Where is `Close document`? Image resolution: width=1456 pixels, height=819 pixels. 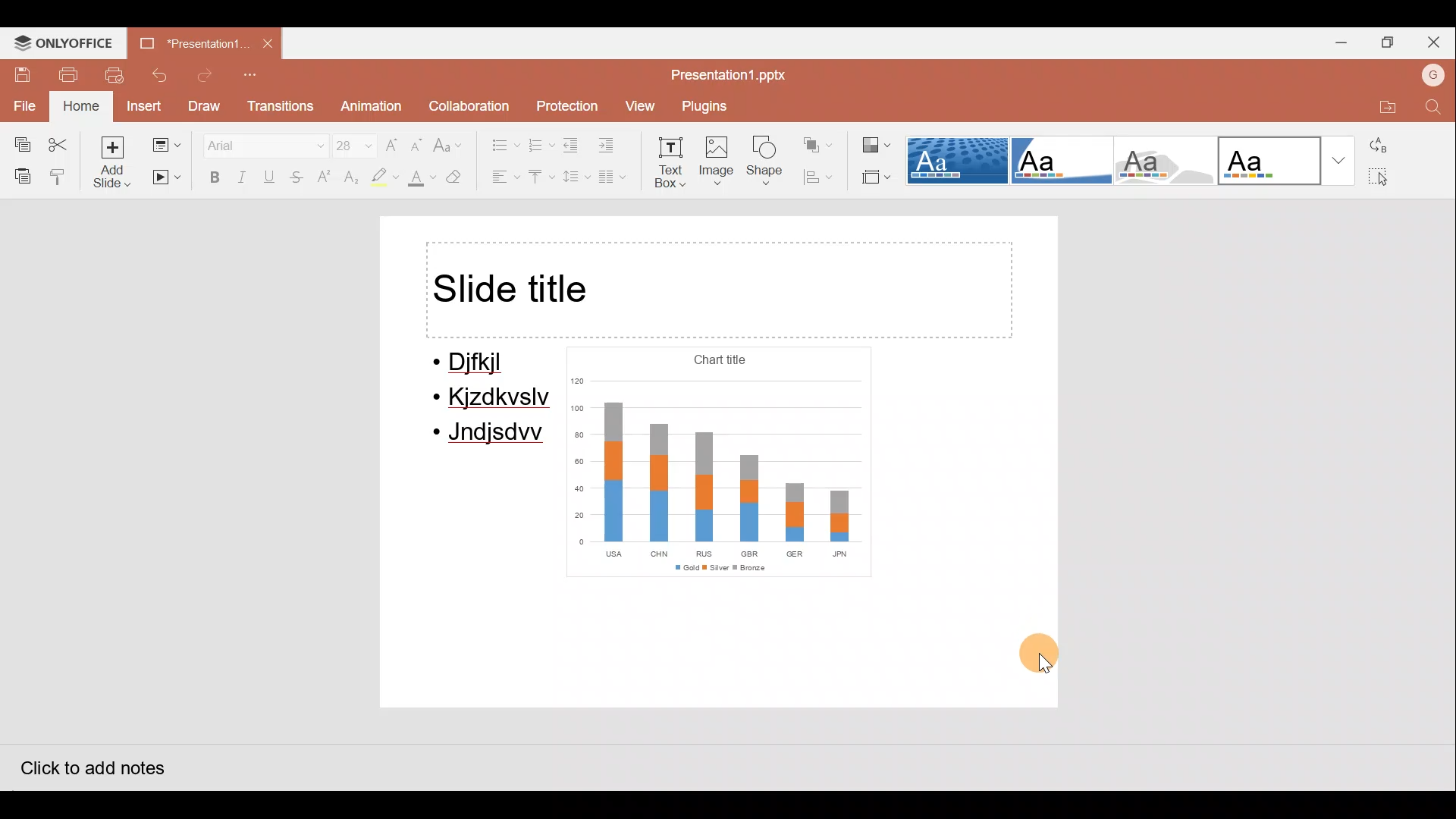 Close document is located at coordinates (265, 42).